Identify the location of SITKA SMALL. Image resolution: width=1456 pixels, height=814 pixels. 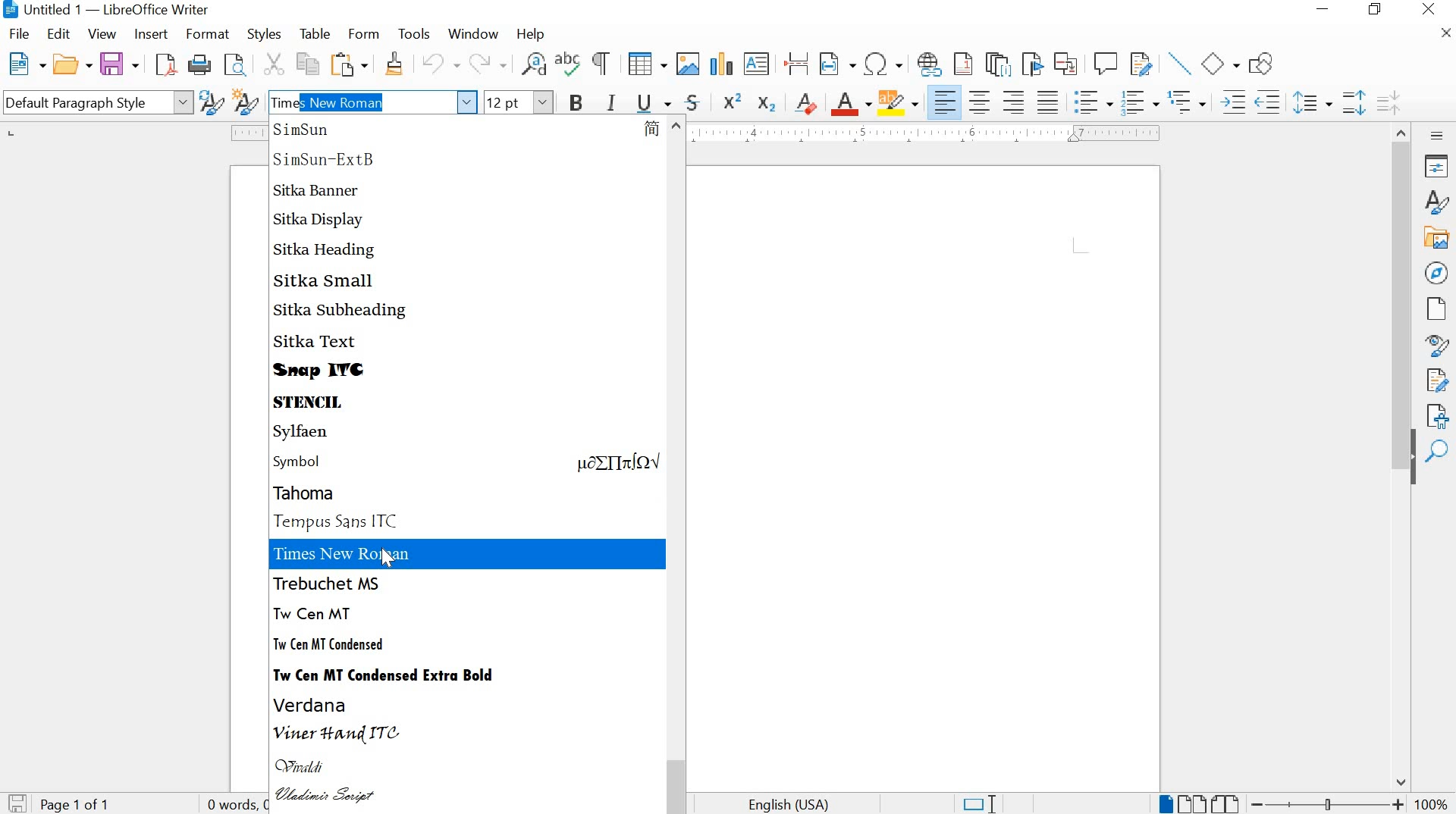
(326, 280).